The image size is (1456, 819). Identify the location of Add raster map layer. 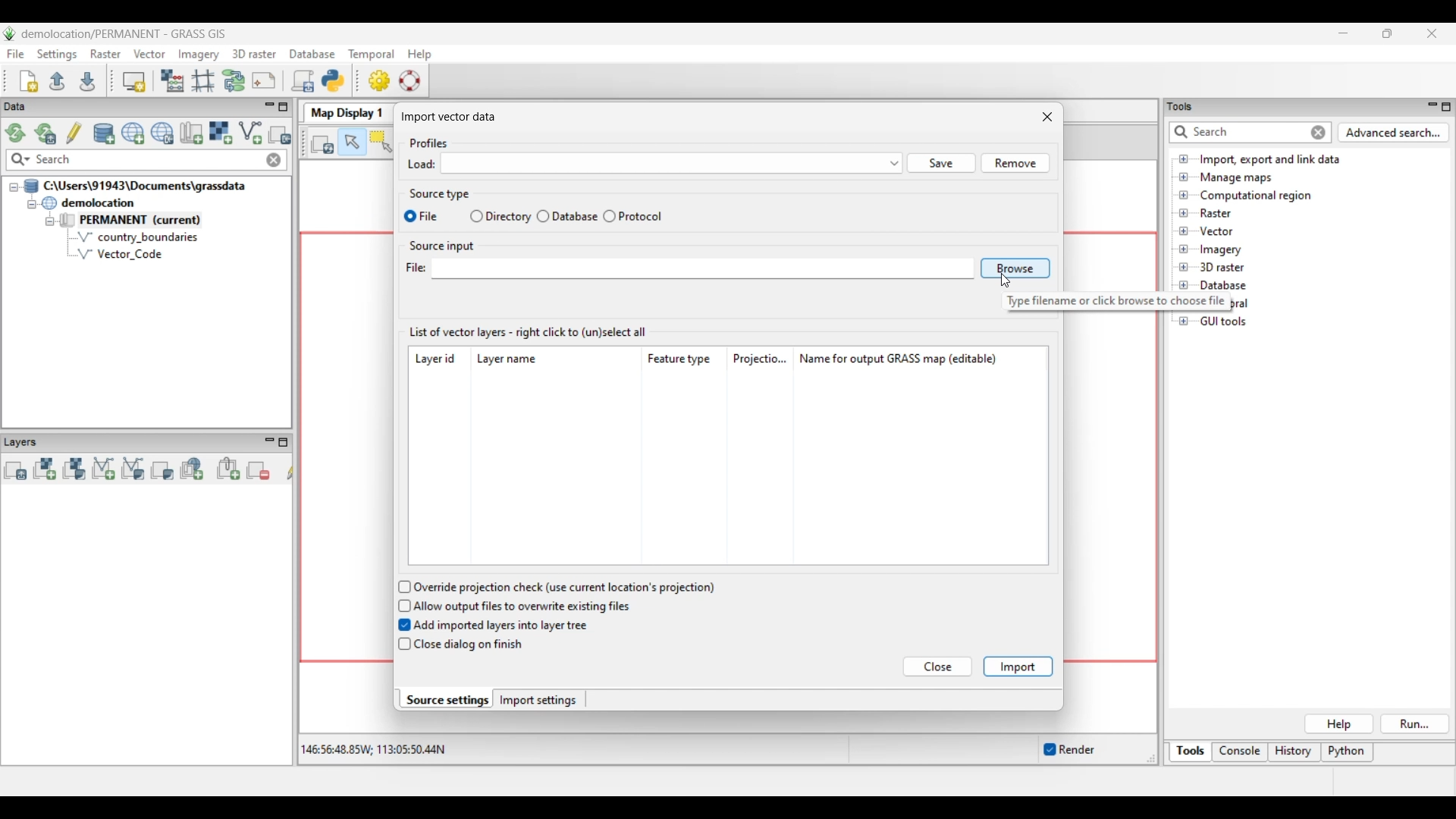
(45, 469).